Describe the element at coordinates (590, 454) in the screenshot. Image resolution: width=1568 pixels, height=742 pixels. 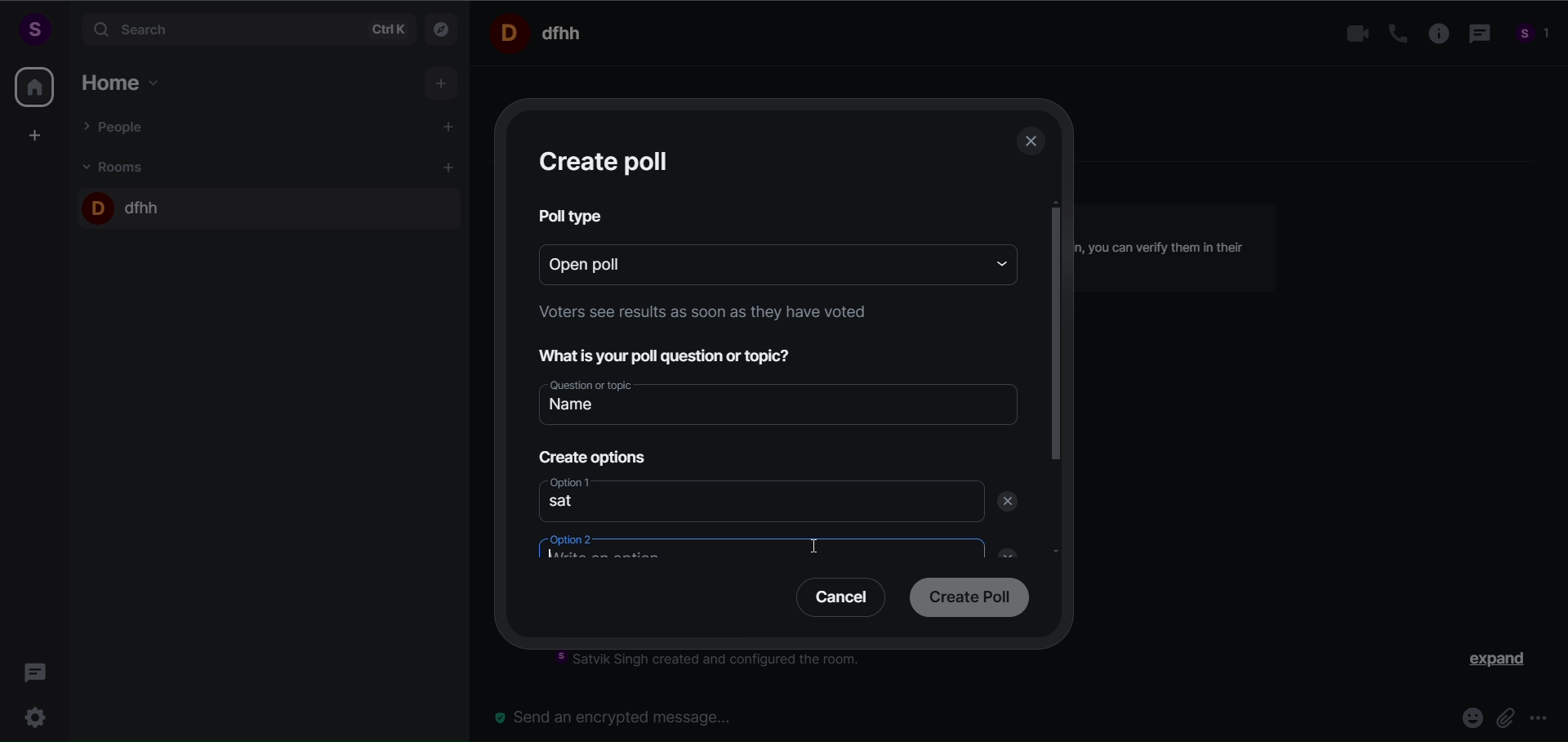
I see `create options` at that location.